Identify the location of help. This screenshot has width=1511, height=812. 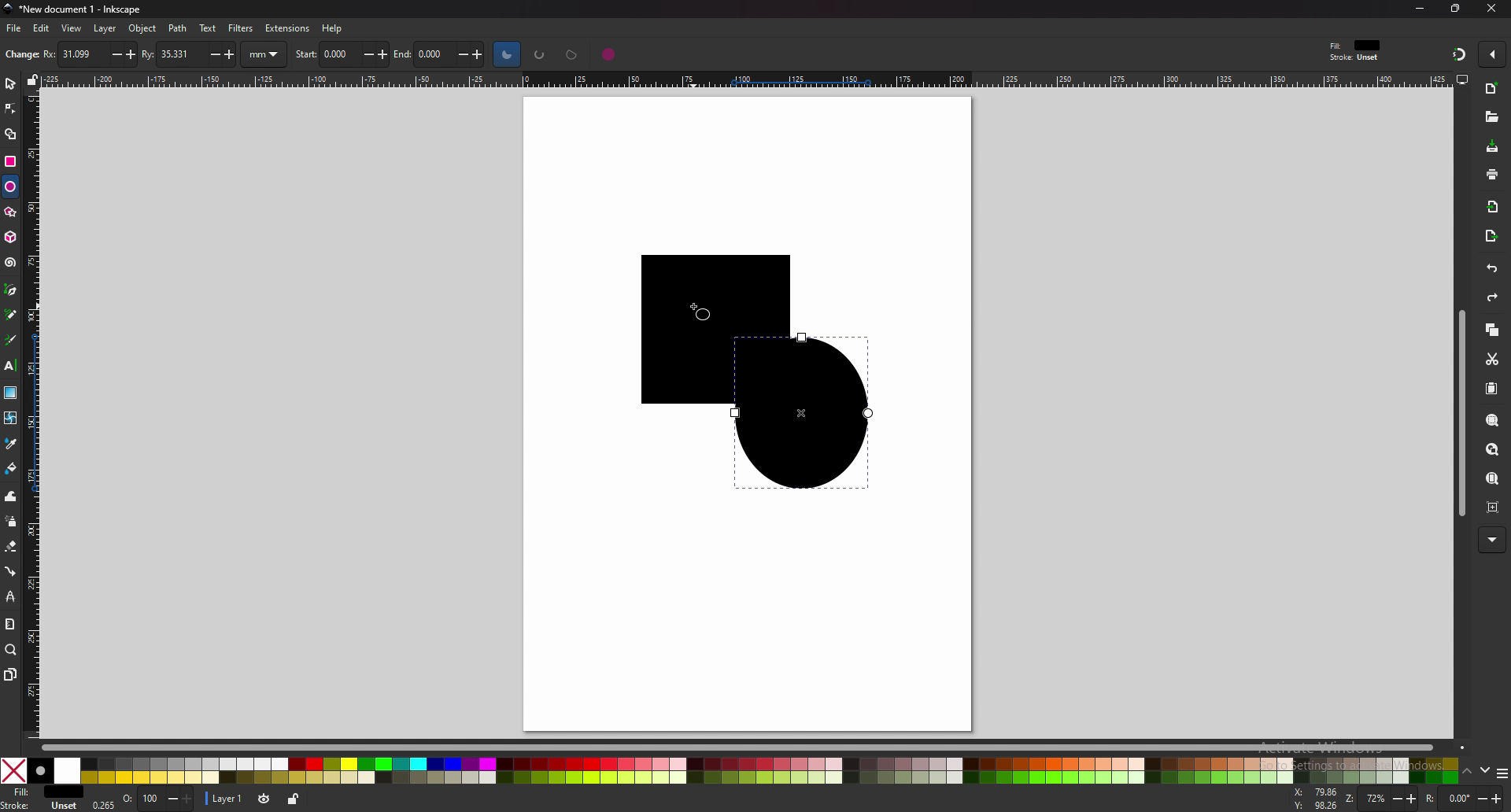
(331, 28).